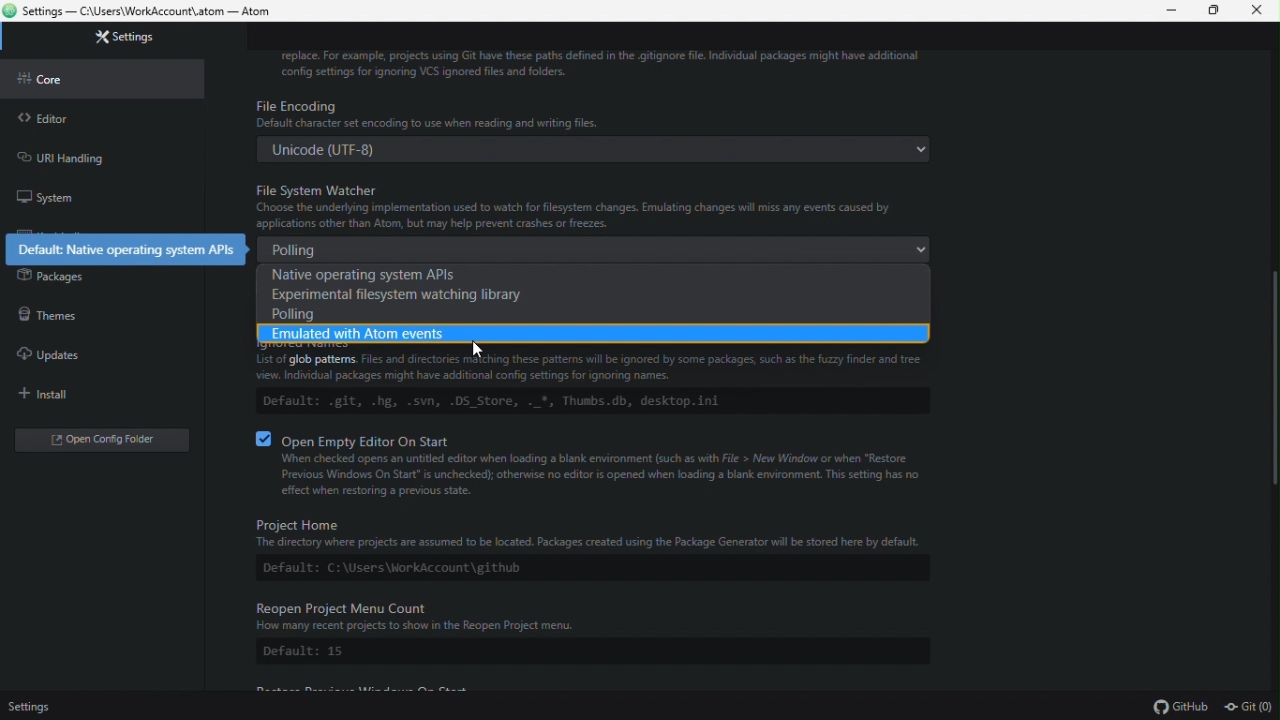 The image size is (1280, 720). I want to click on Packages, so click(94, 277).